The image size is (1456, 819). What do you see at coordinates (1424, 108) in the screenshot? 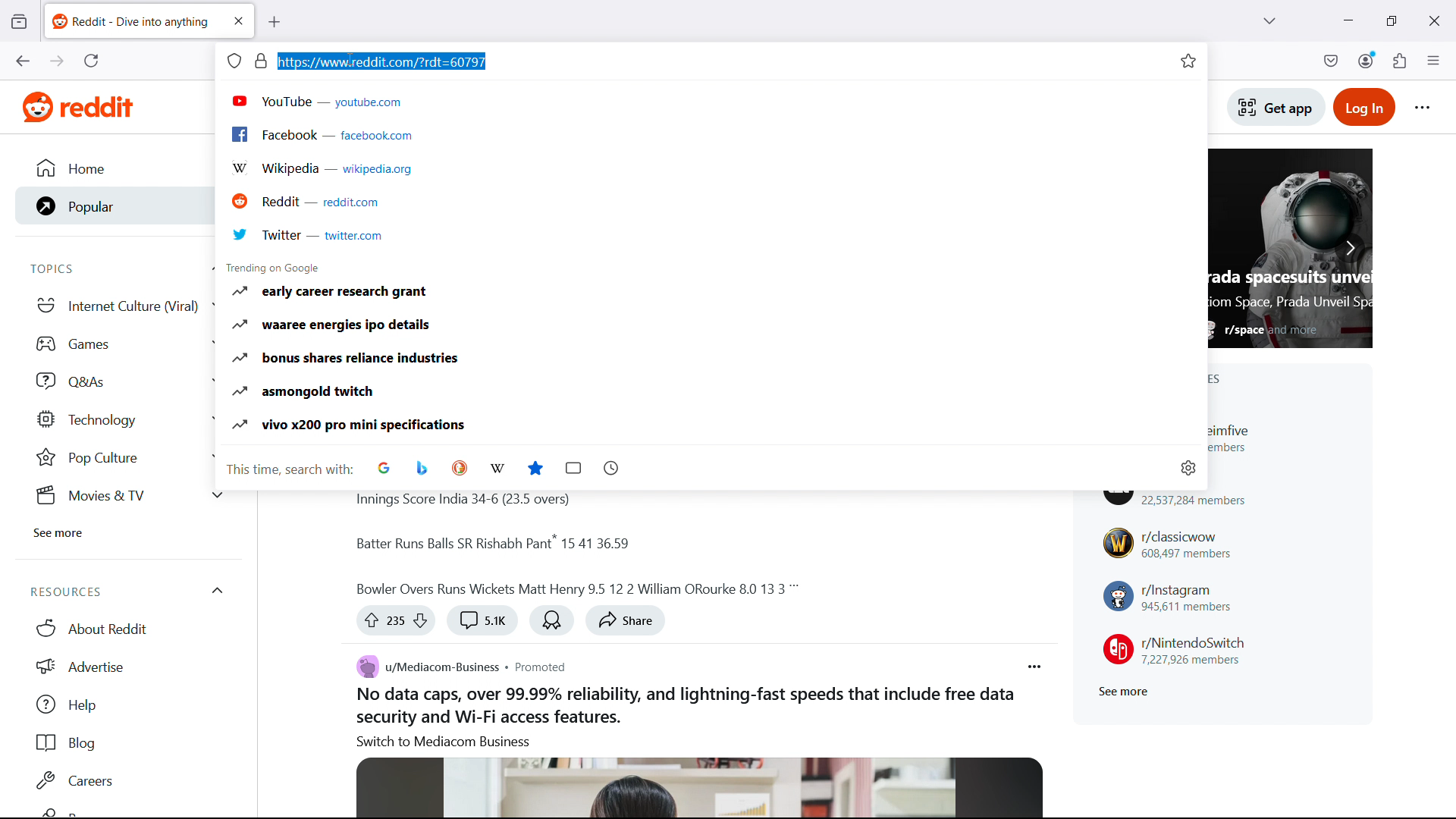
I see `Reddit options` at bounding box center [1424, 108].